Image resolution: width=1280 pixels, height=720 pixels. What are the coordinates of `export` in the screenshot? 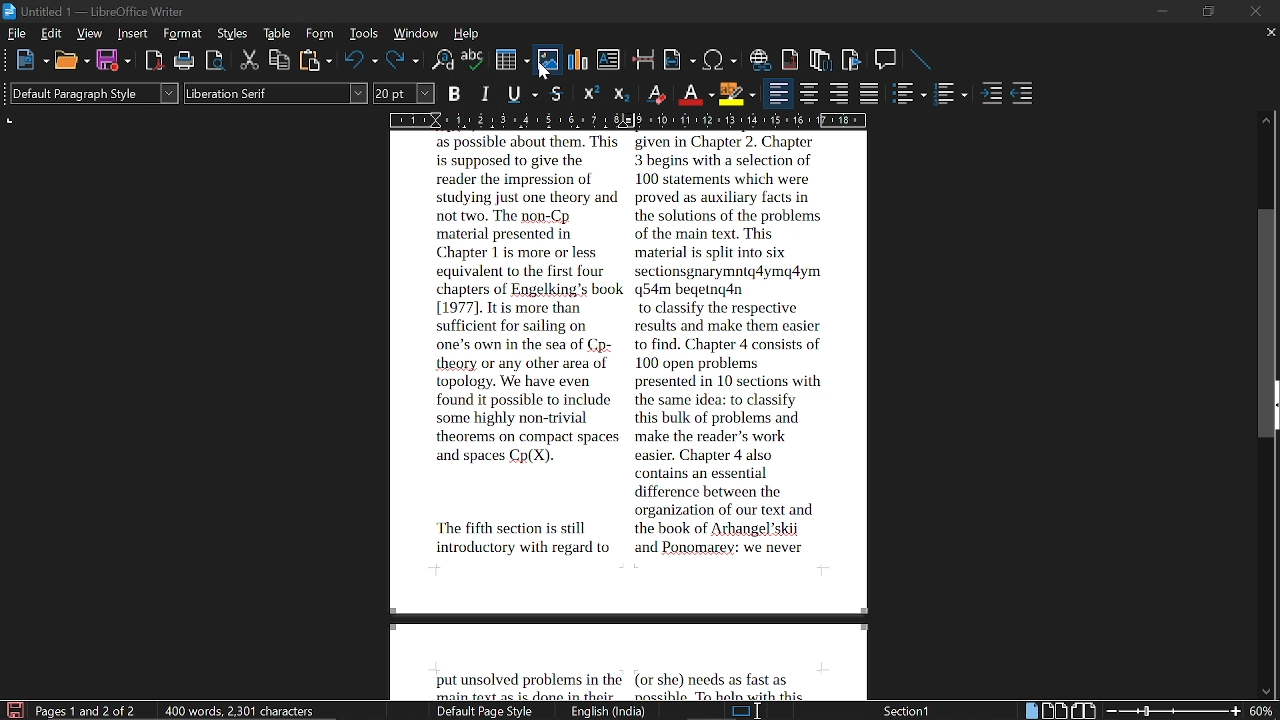 It's located at (214, 61).